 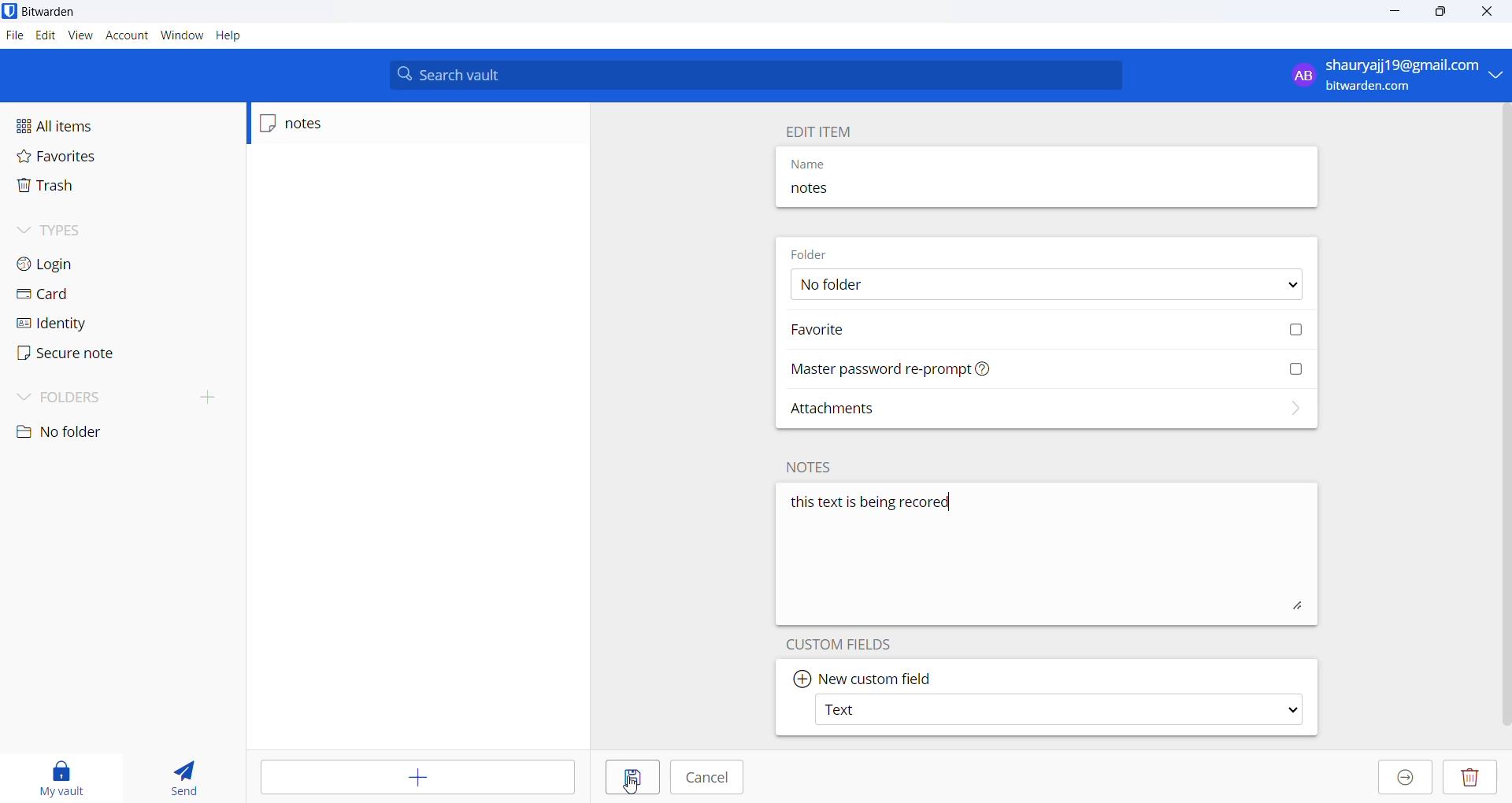 I want to click on name , so click(x=869, y=164).